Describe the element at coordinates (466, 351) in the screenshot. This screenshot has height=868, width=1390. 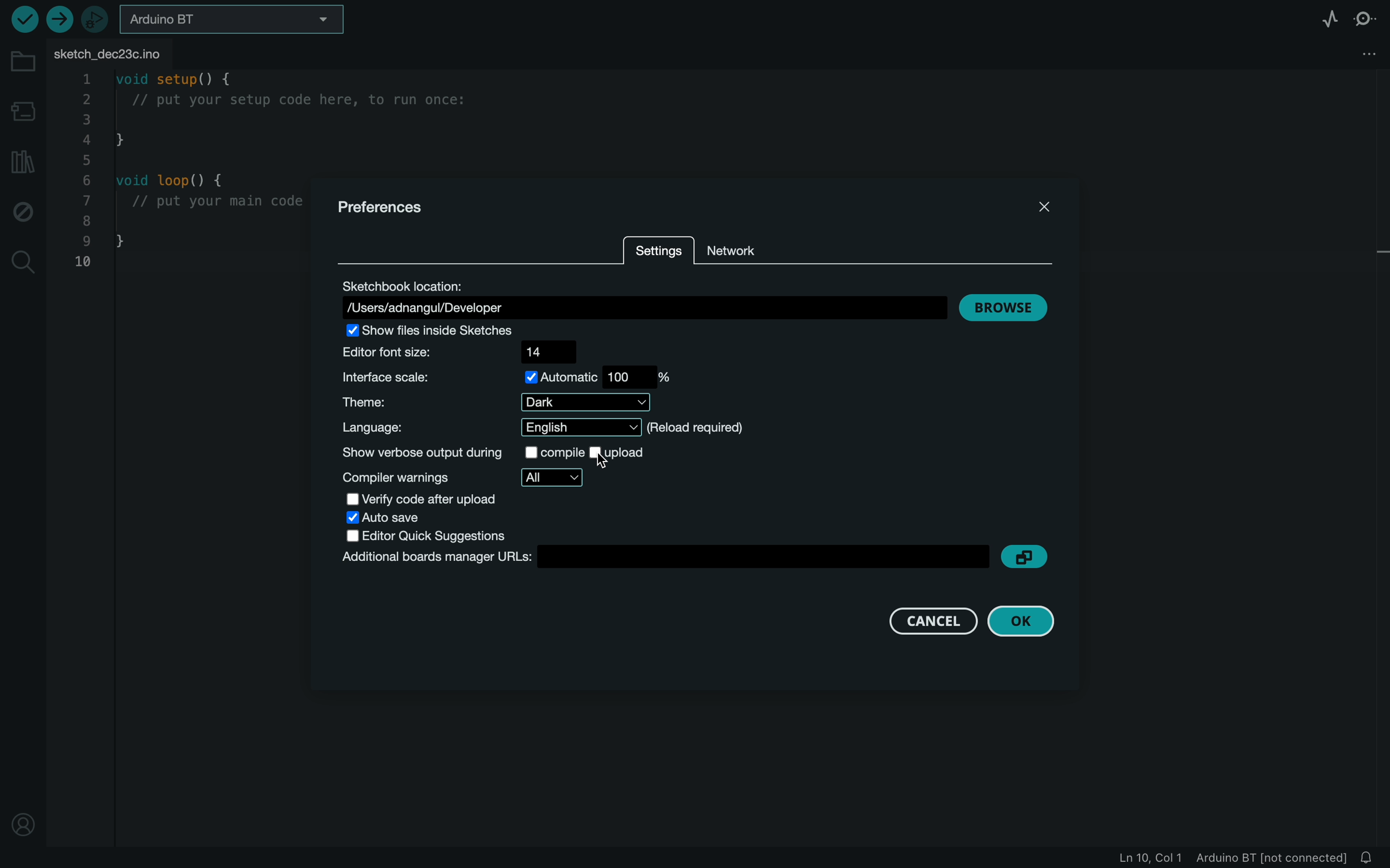
I see `font size` at that location.